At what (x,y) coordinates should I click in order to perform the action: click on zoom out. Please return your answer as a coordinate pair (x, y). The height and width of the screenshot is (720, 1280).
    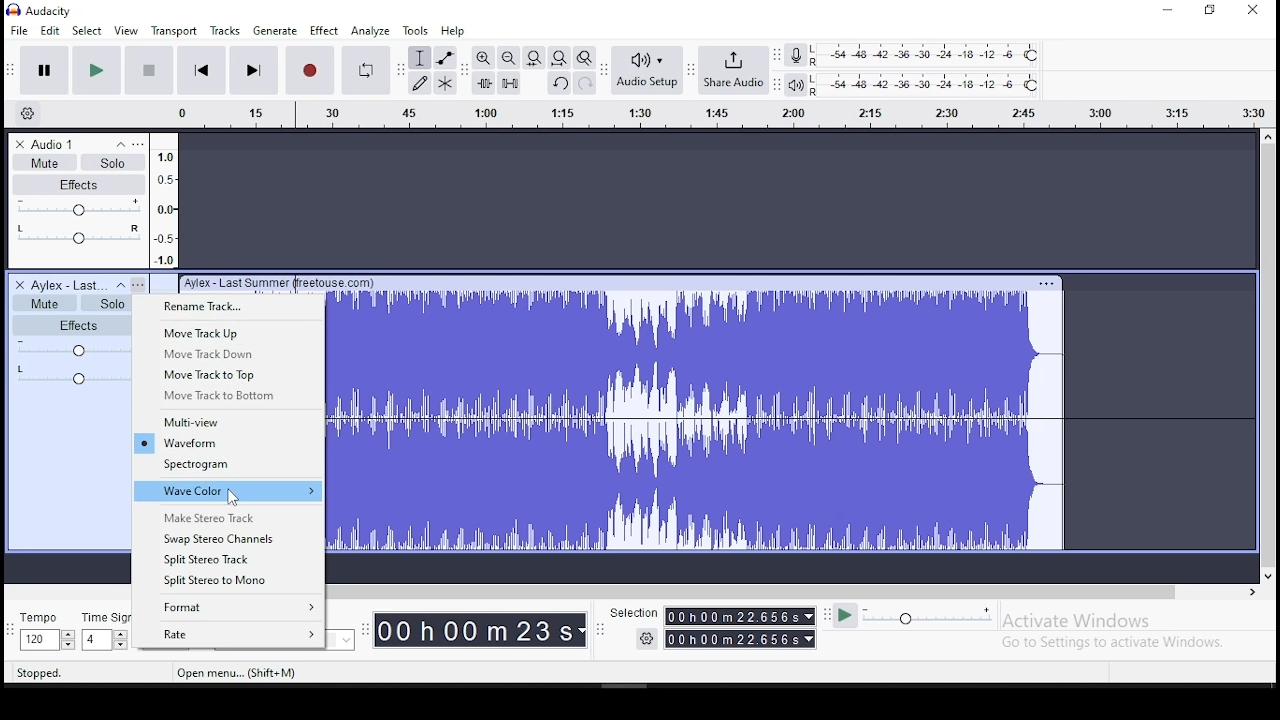
    Looking at the image, I should click on (508, 57).